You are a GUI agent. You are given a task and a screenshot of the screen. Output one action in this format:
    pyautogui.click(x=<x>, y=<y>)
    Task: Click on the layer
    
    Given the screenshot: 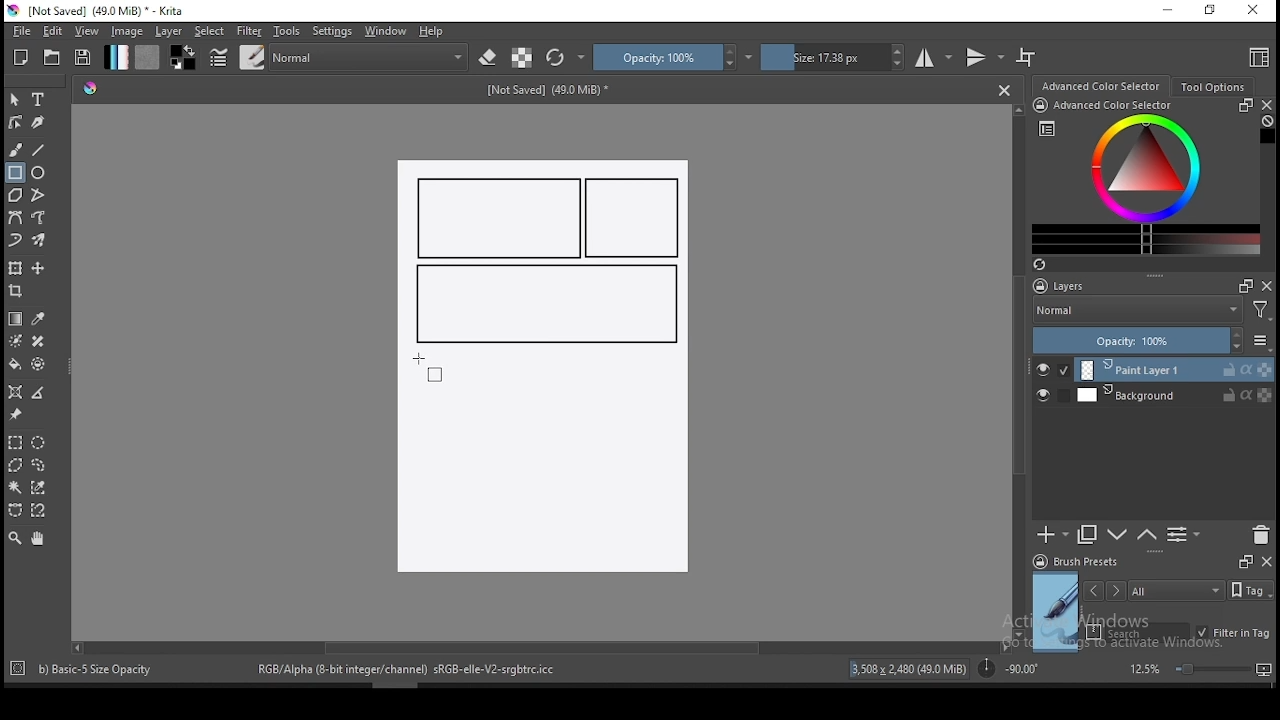 What is the action you would take?
    pyautogui.click(x=1175, y=370)
    